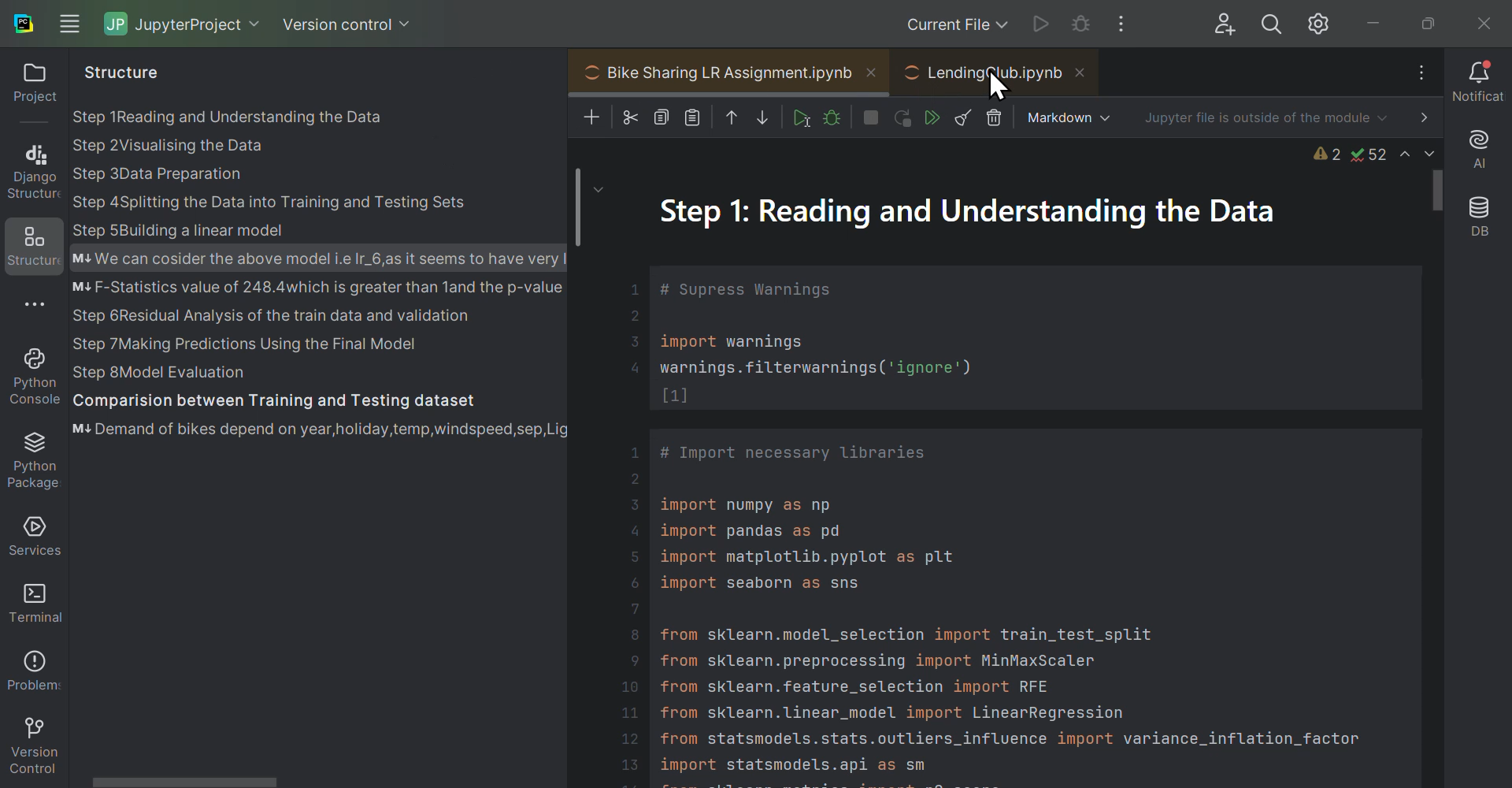 The height and width of the screenshot is (788, 1512). What do you see at coordinates (348, 23) in the screenshot?
I see `Version control` at bounding box center [348, 23].